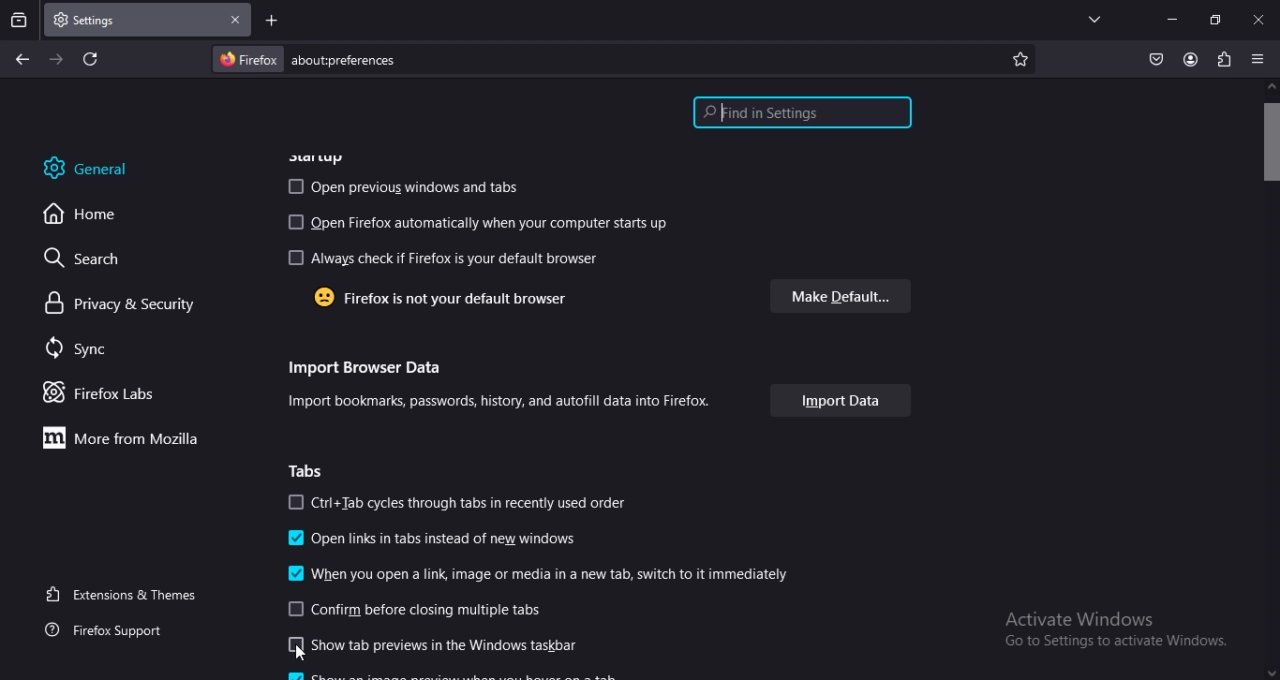 The width and height of the screenshot is (1280, 680). I want to click on search tabs, so click(19, 19).